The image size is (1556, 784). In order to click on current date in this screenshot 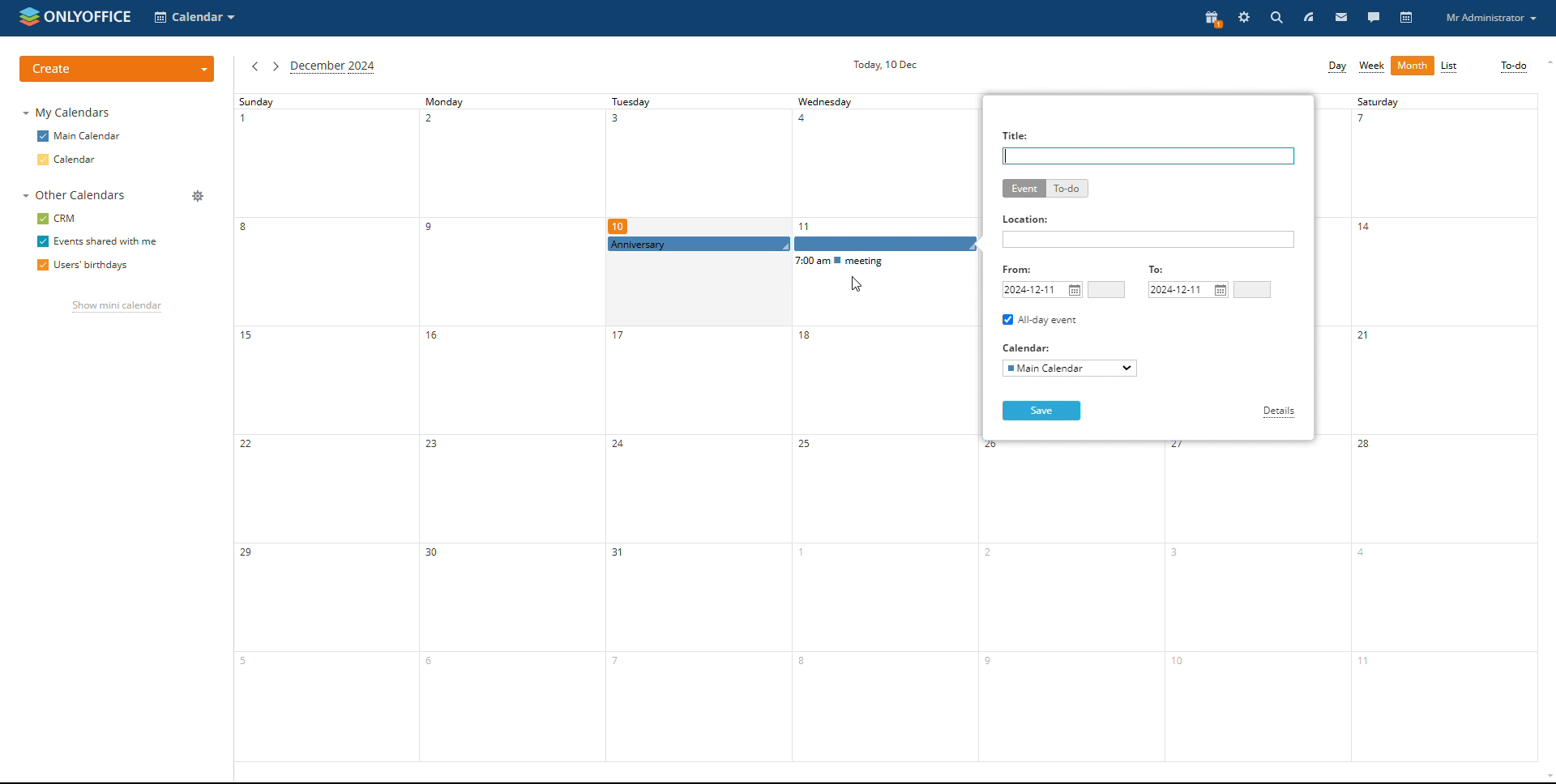, I will do `click(885, 65)`.